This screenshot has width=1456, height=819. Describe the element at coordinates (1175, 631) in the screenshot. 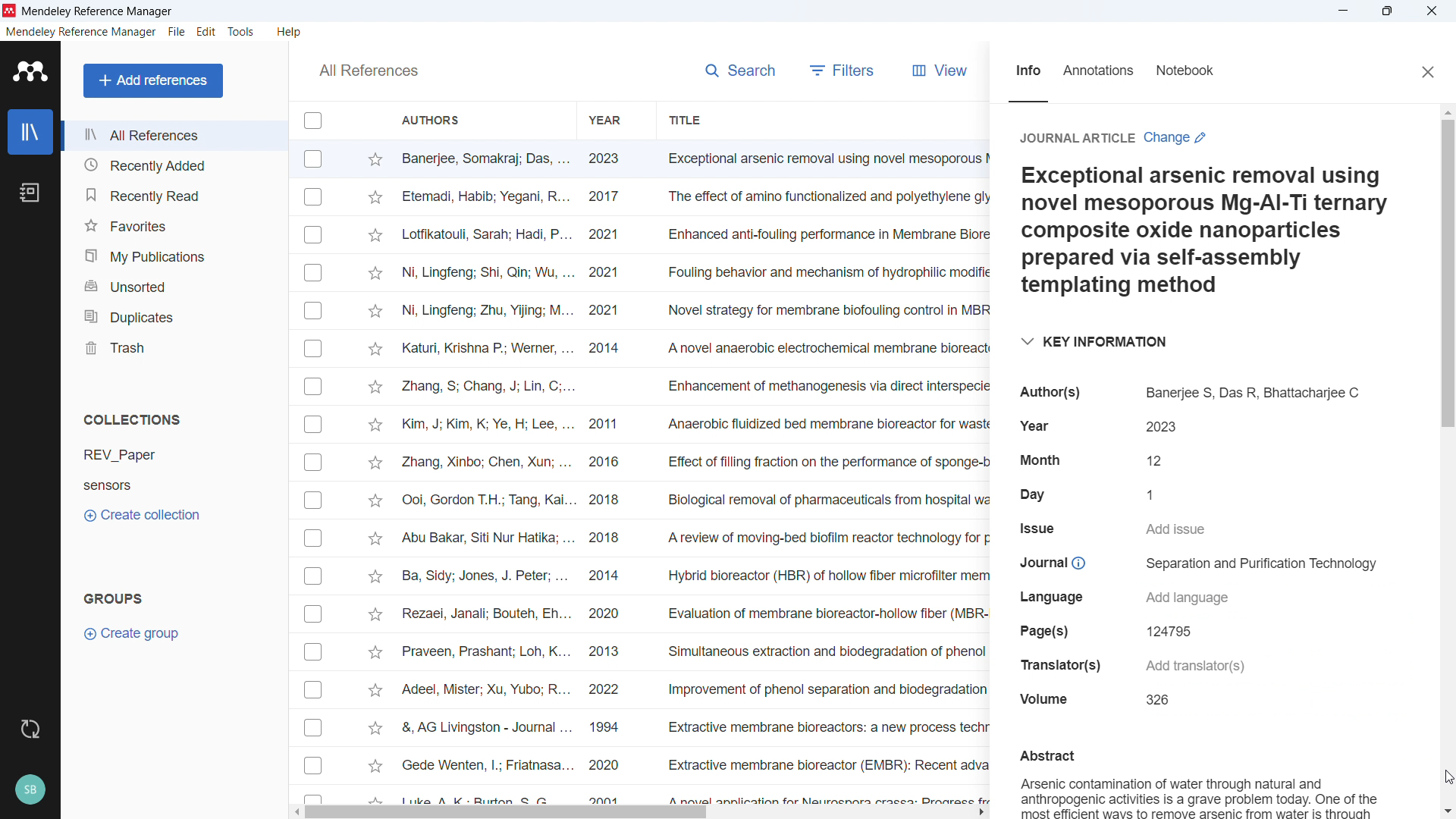

I see `124795` at that location.